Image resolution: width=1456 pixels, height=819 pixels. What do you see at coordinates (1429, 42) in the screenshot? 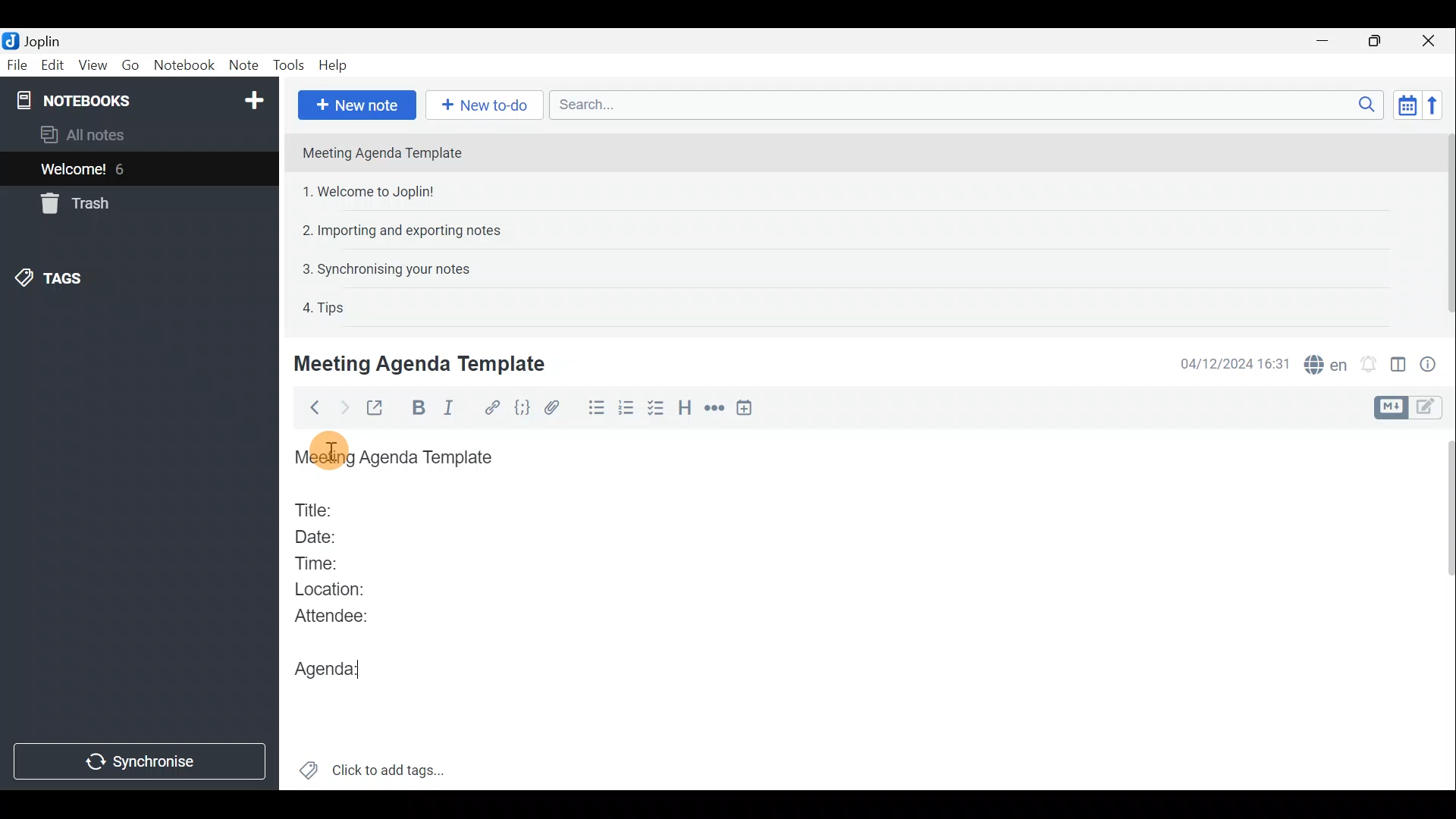
I see `Close` at bounding box center [1429, 42].